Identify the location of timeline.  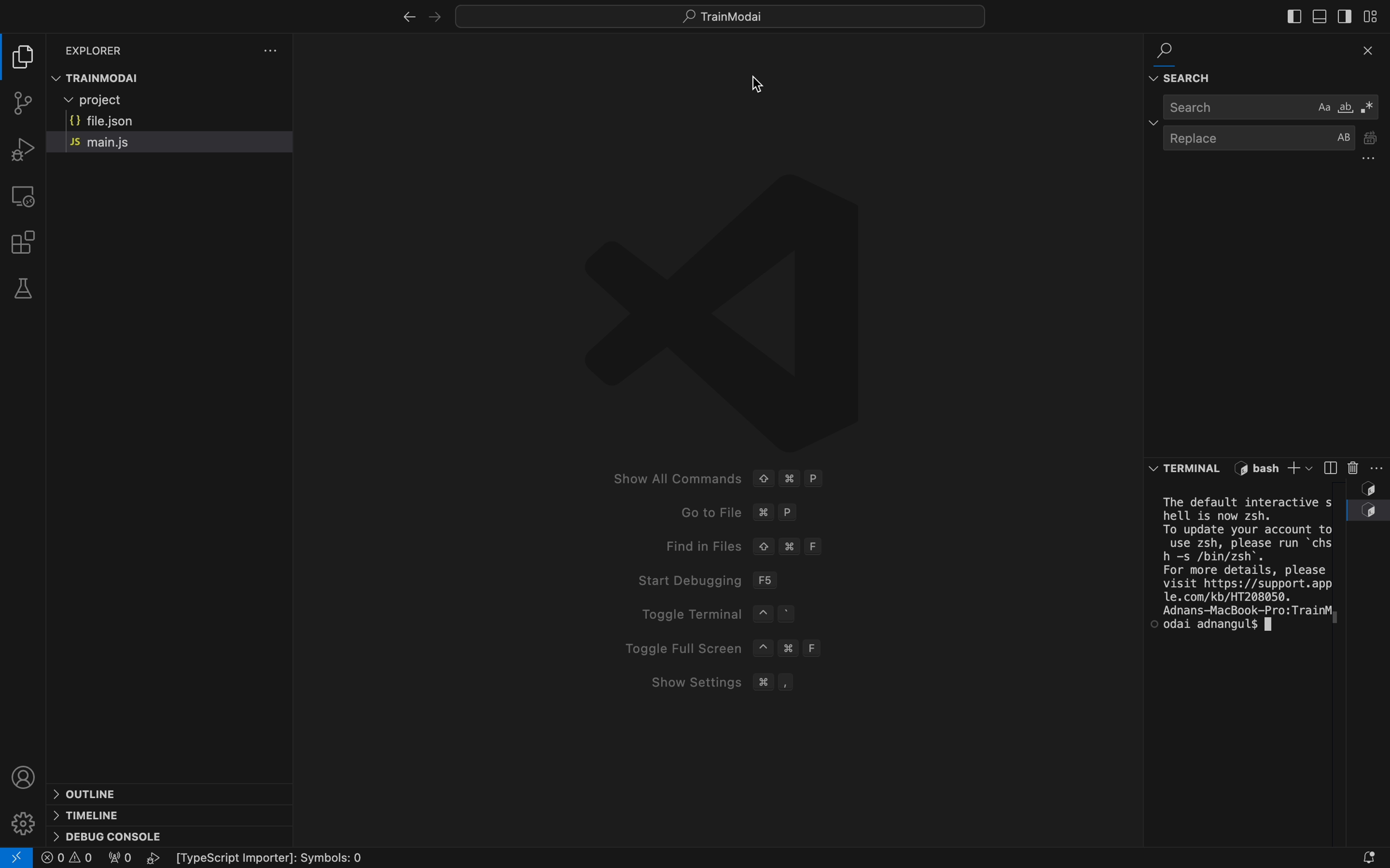
(88, 813).